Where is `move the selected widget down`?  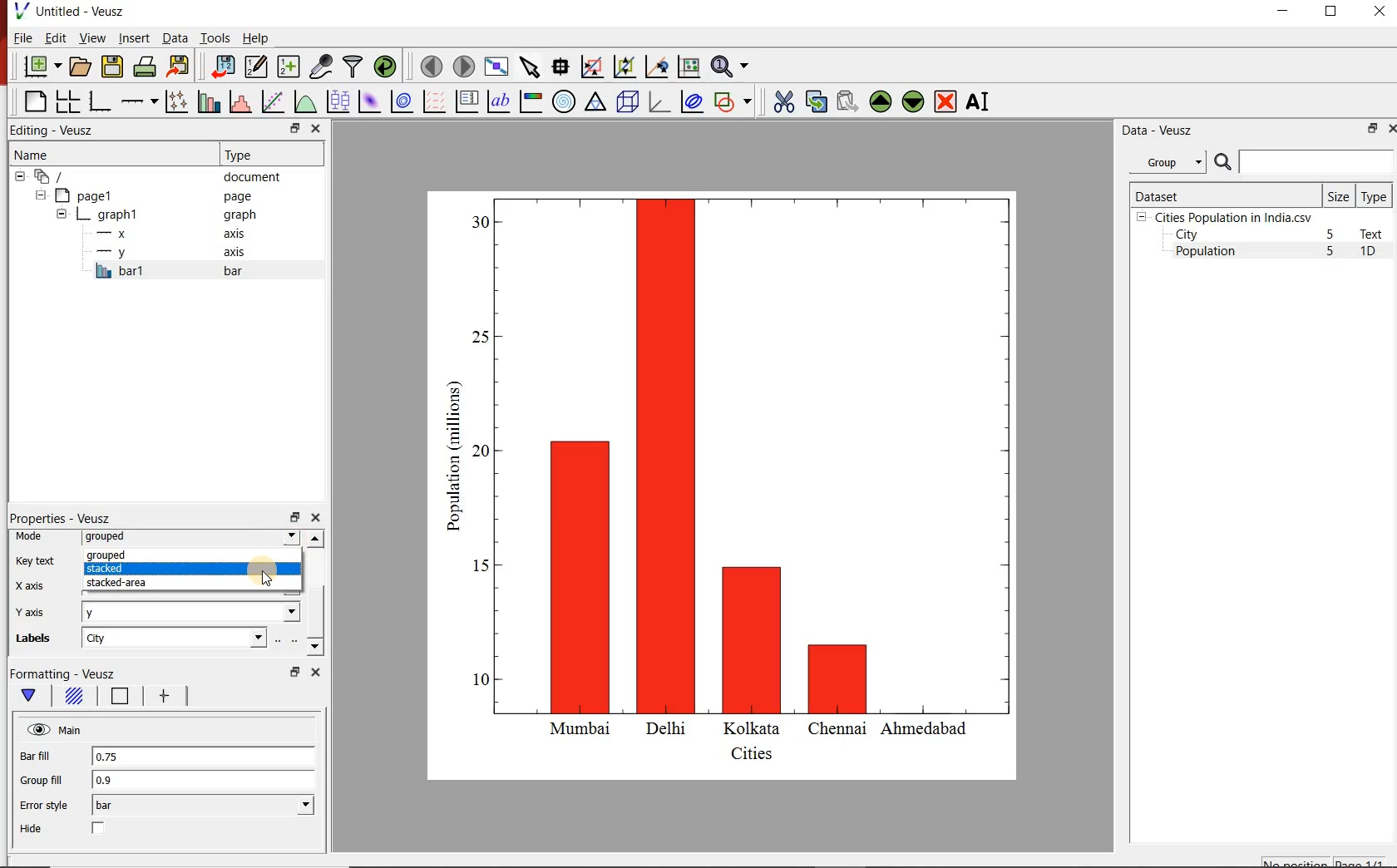
move the selected widget down is located at coordinates (913, 101).